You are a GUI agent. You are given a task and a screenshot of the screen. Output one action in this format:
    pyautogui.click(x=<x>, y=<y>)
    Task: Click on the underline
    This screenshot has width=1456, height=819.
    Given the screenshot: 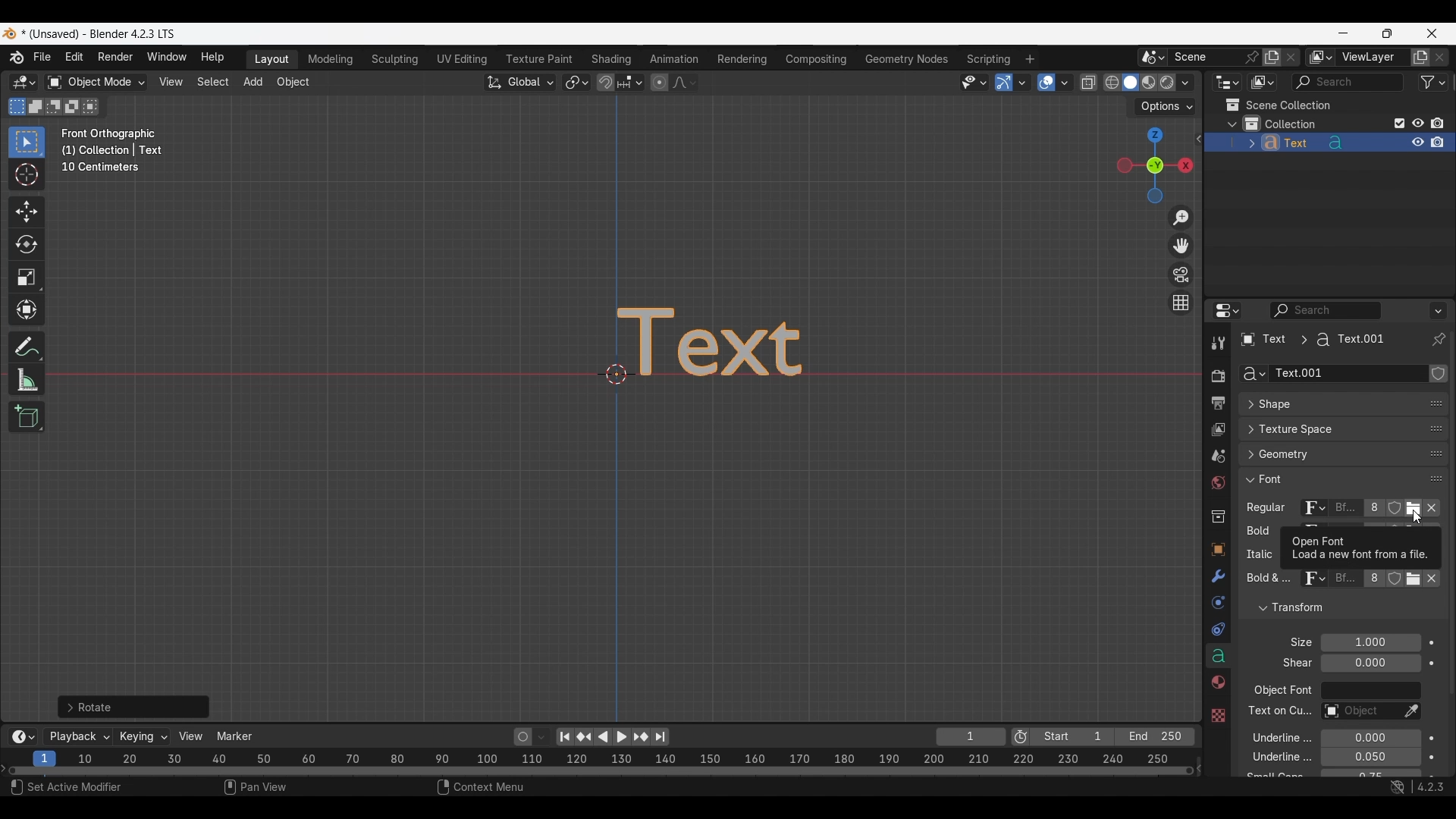 What is the action you would take?
    pyautogui.click(x=1269, y=759)
    